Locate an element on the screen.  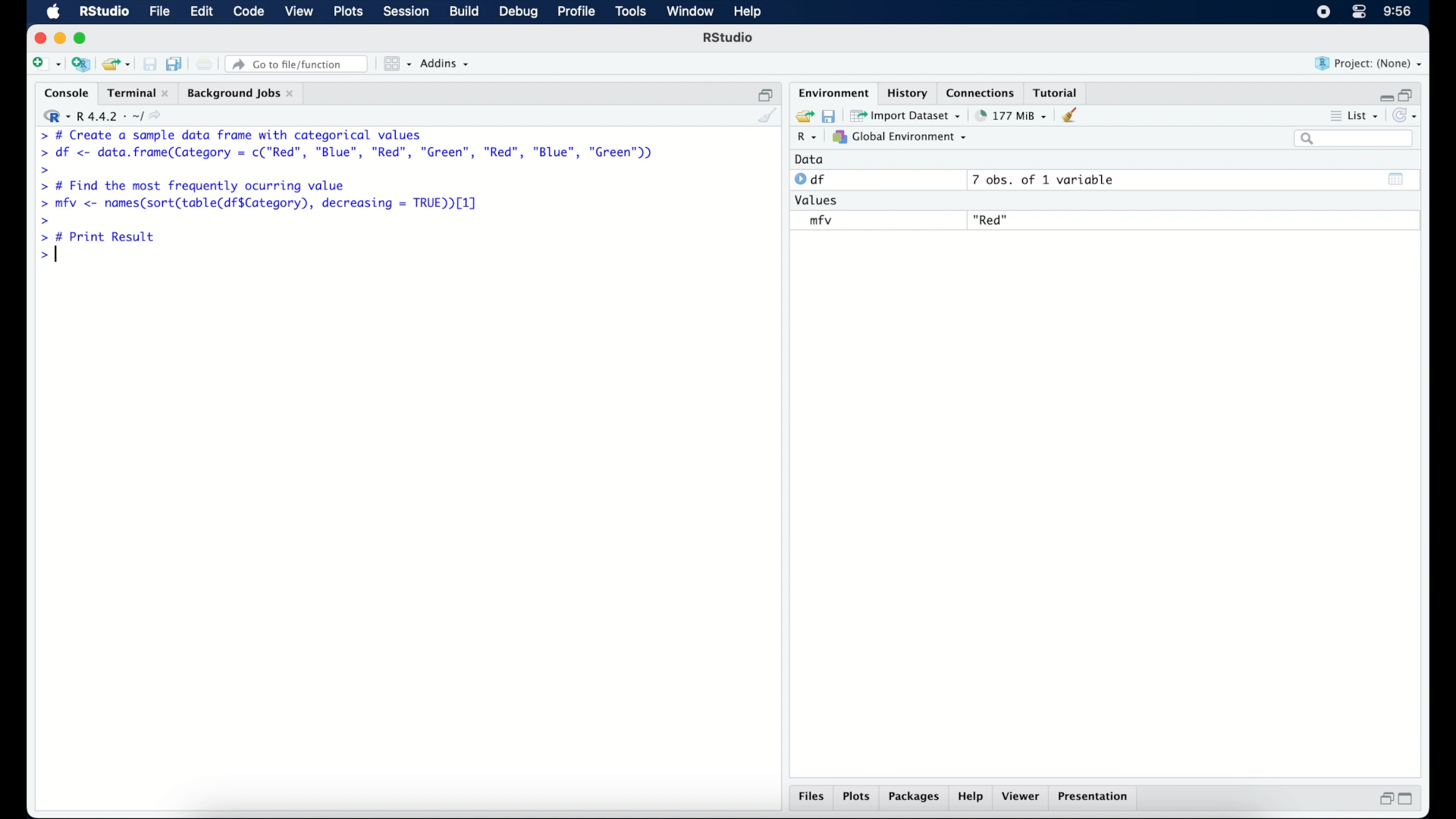
> df <- data.frame(Category = c("Red”, "Blue", "Red", "Green", "Red", "Blue", "Green"))| is located at coordinates (349, 153).